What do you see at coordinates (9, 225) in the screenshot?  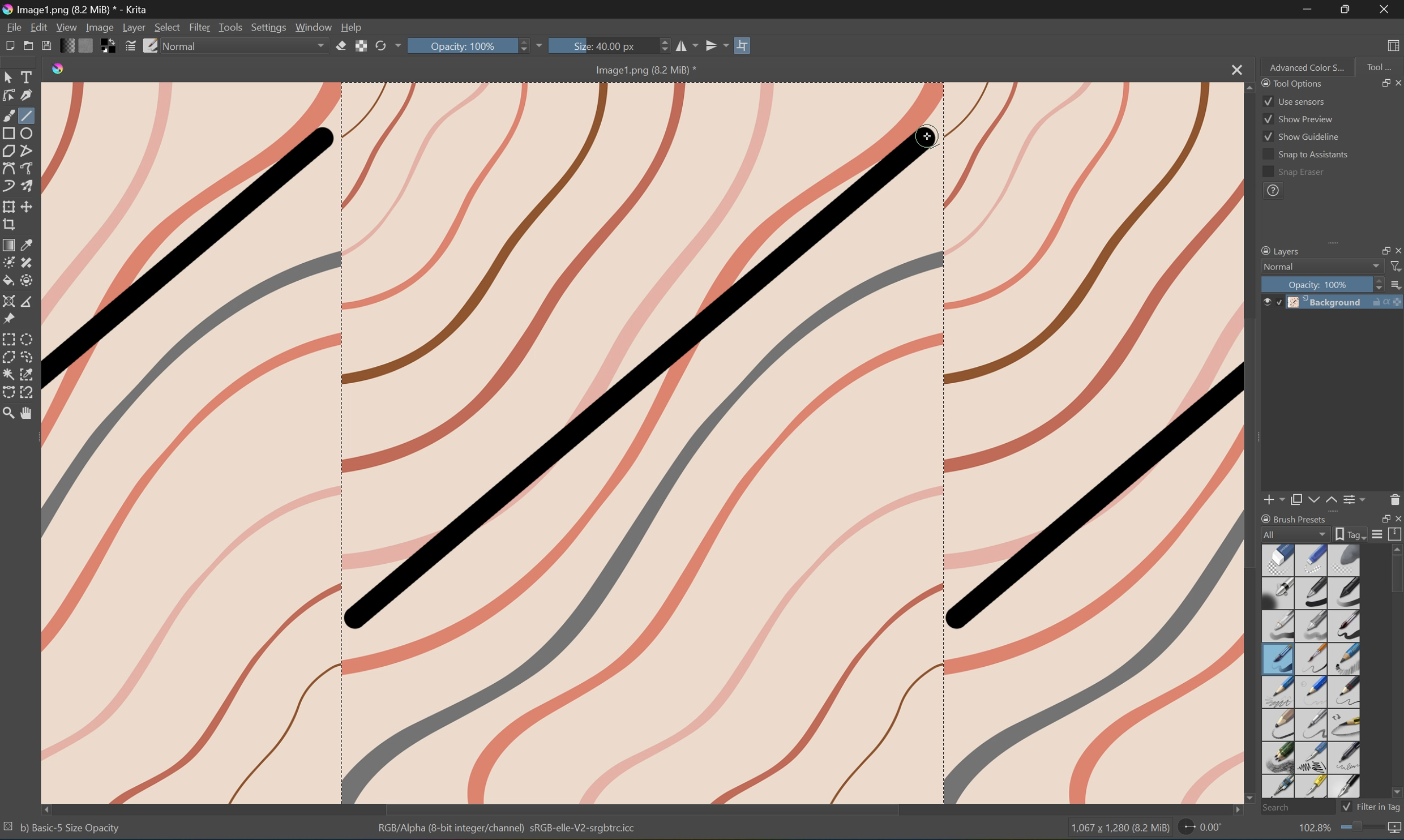 I see `Crop the image to an area` at bounding box center [9, 225].